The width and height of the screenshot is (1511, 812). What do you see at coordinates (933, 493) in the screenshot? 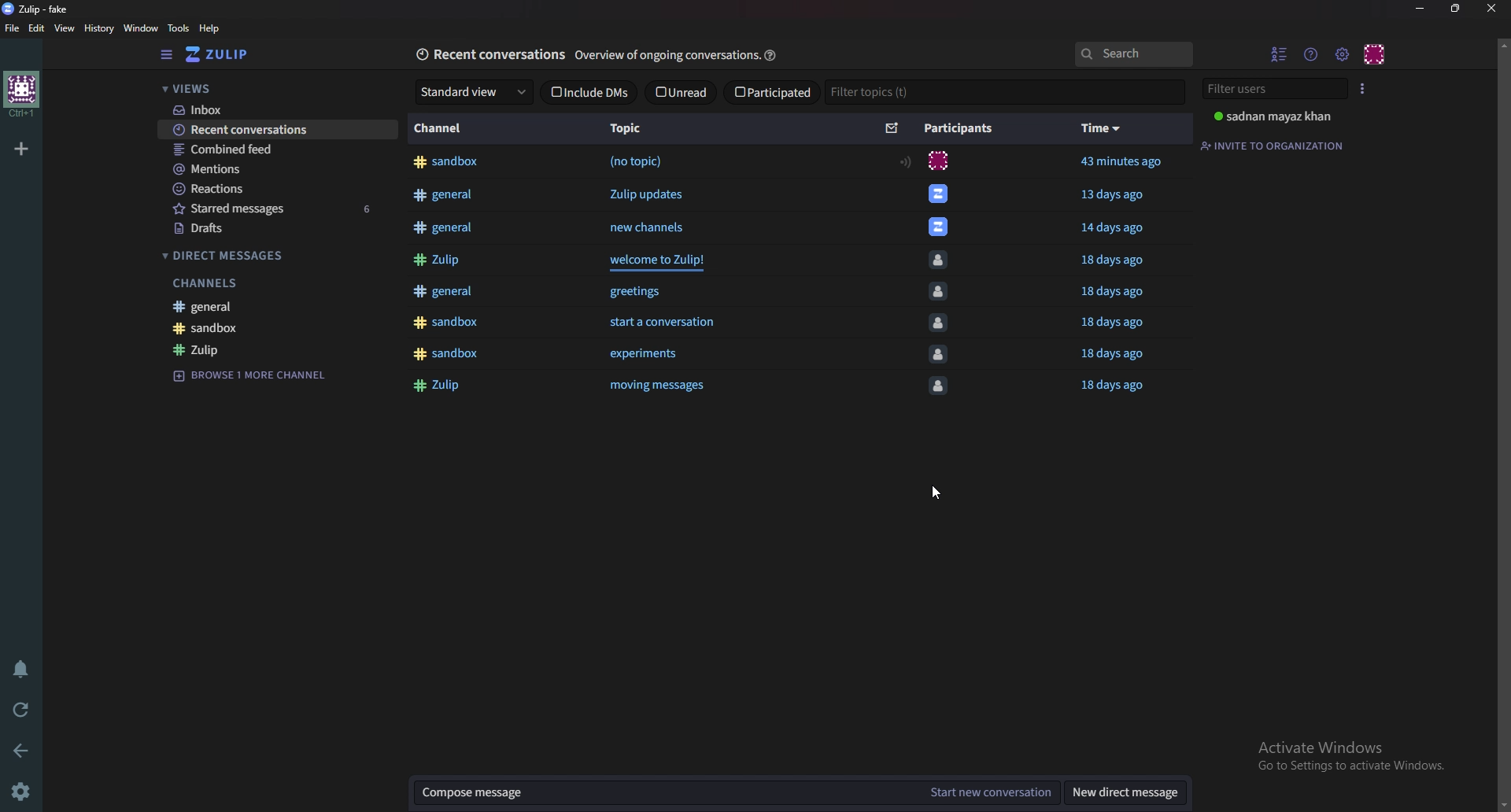
I see `cursor` at bounding box center [933, 493].